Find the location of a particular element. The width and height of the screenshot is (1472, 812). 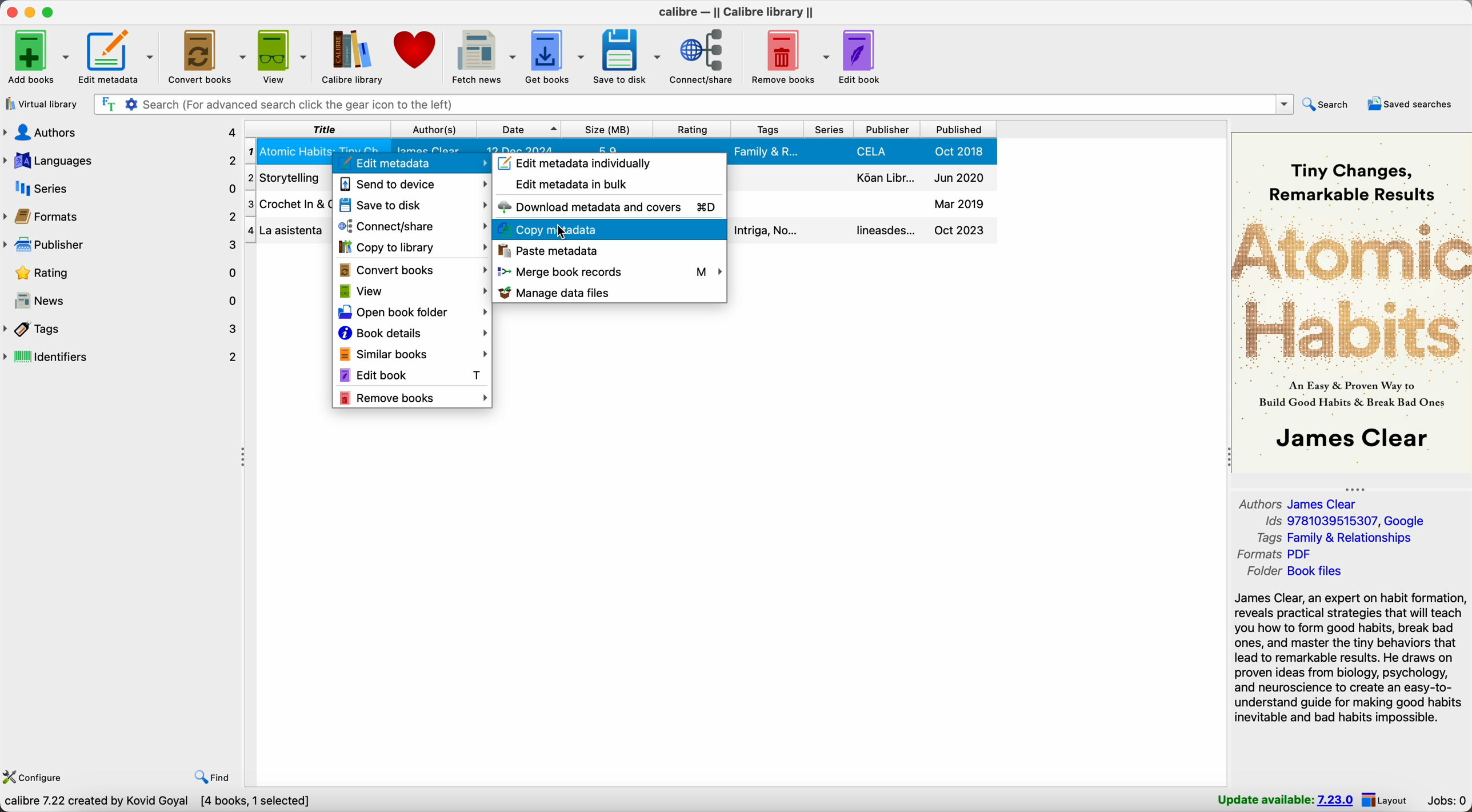

open book folder is located at coordinates (413, 311).